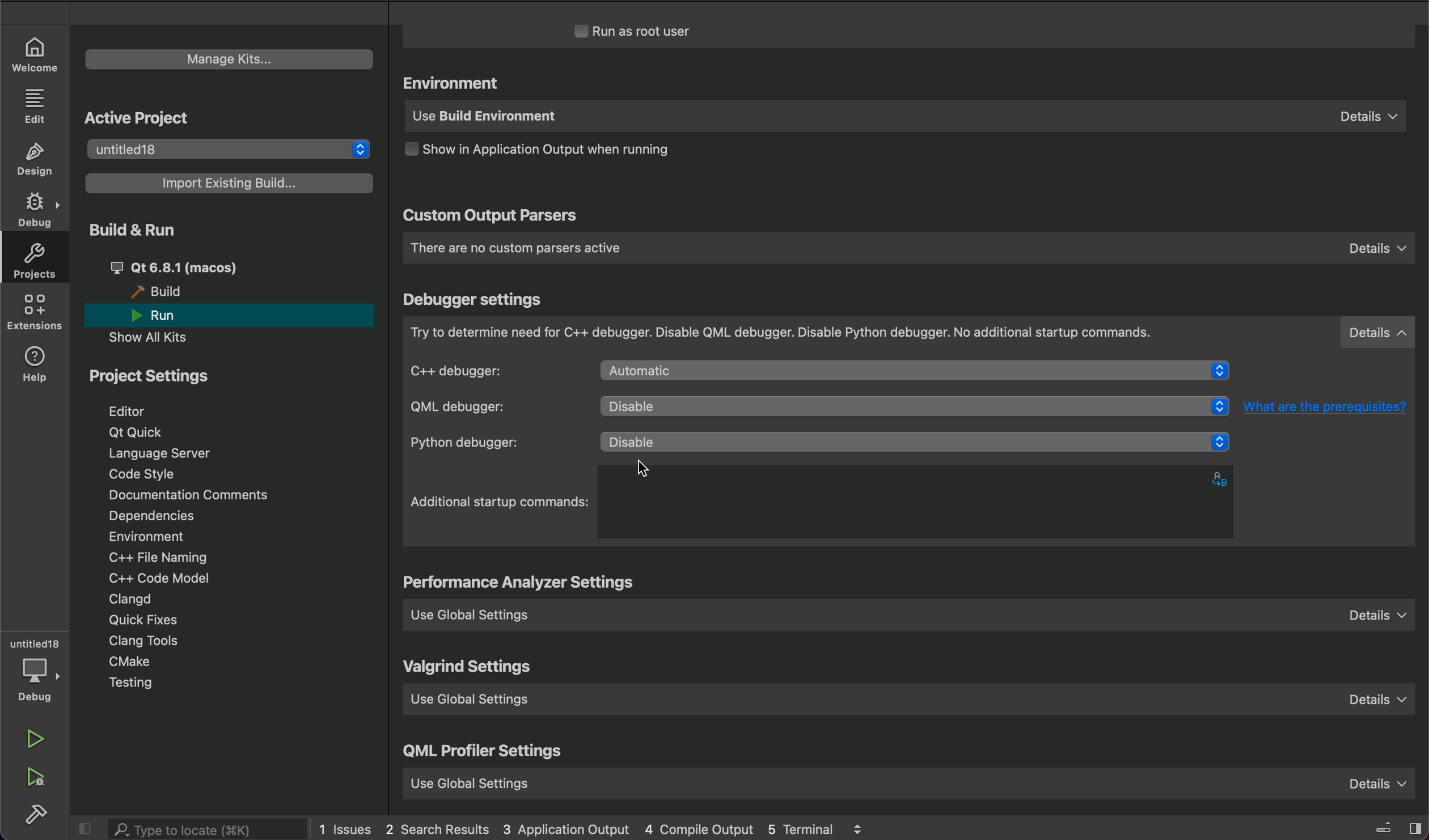 This screenshot has width=1429, height=840. What do you see at coordinates (37, 315) in the screenshot?
I see `extensions` at bounding box center [37, 315].